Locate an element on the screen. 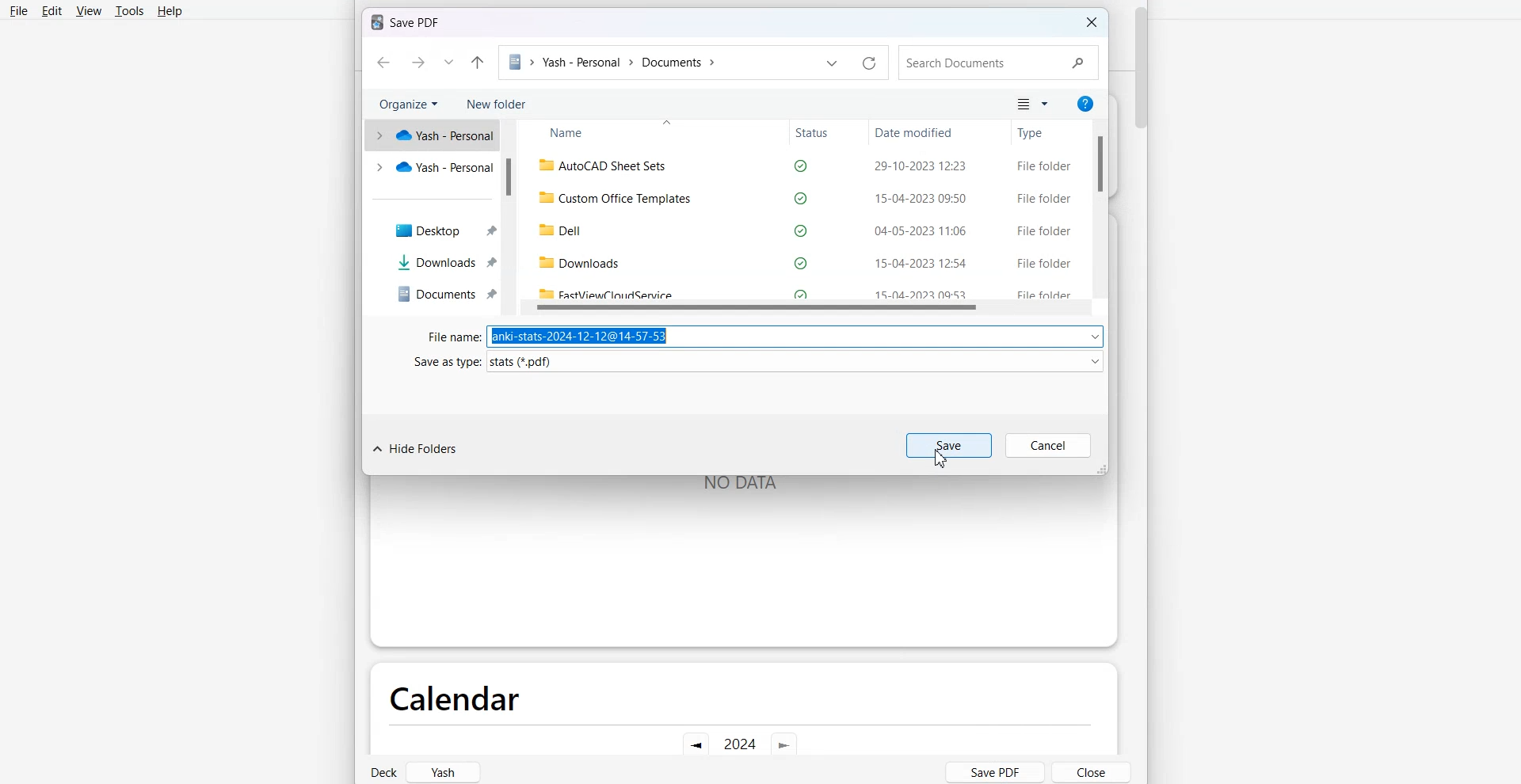 The height and width of the screenshot is (784, 1521). Go Forward is located at coordinates (416, 62).